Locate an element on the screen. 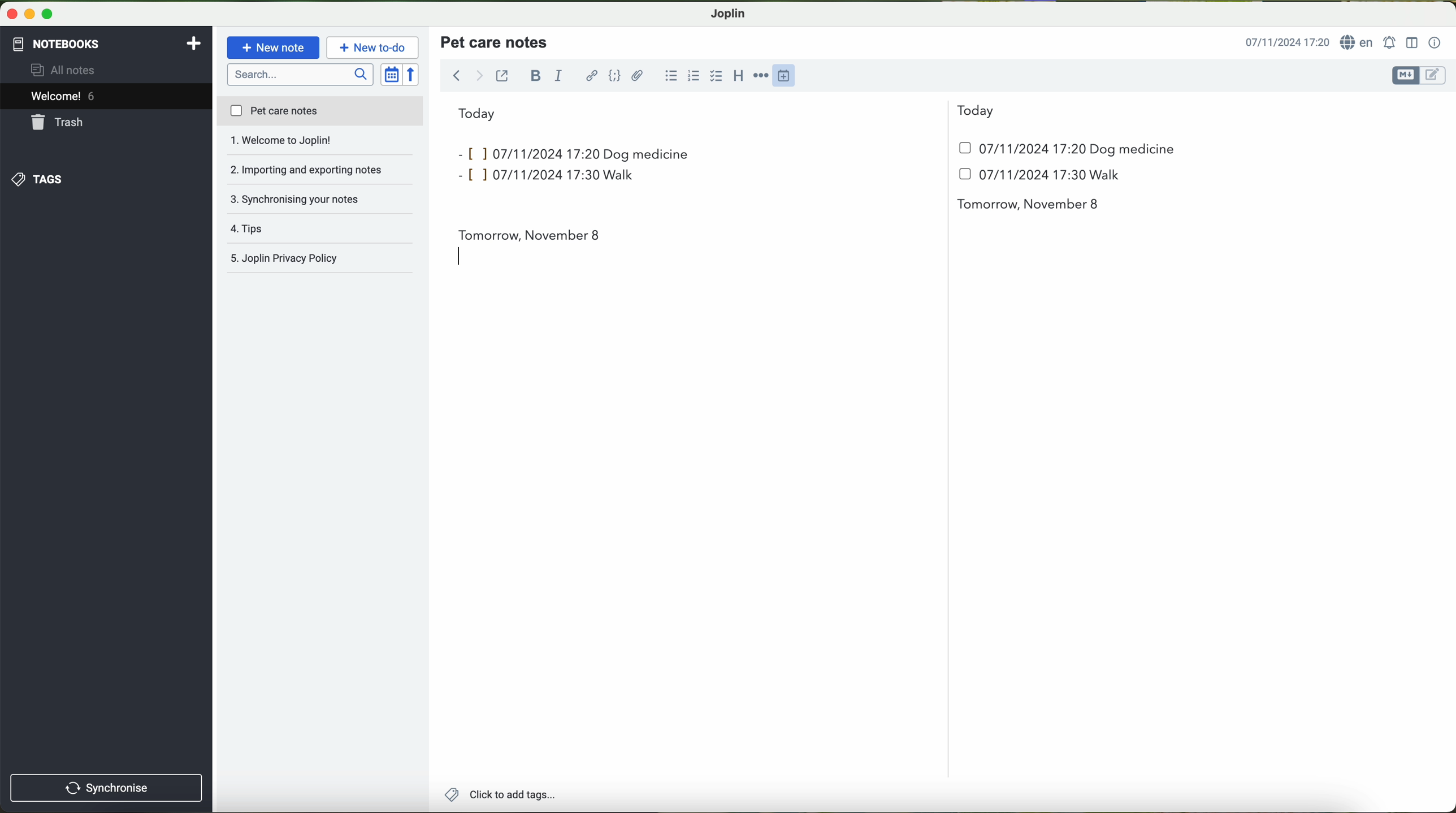 The height and width of the screenshot is (813, 1456). tomorrow is located at coordinates (530, 232).